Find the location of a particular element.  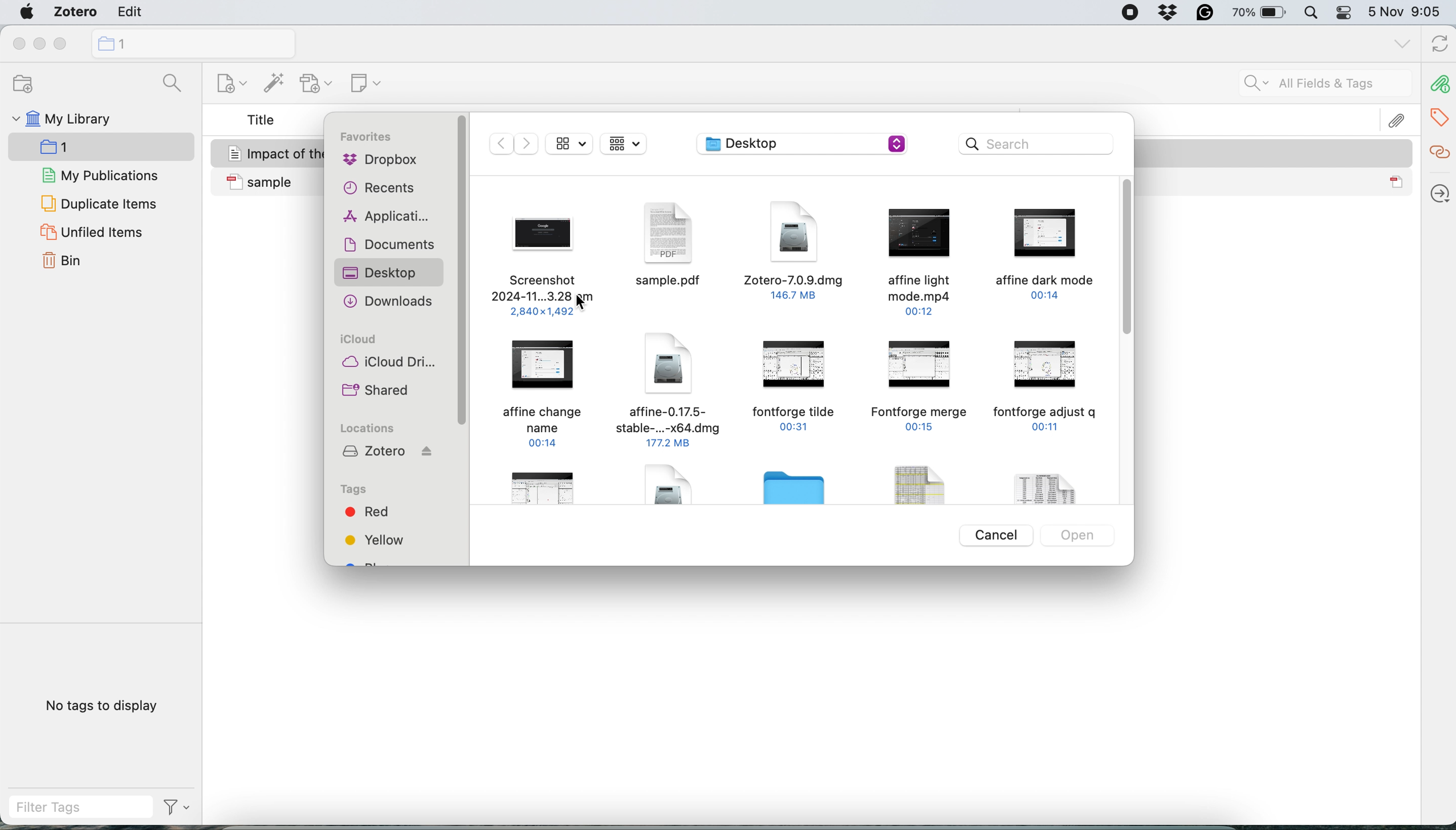

downloads is located at coordinates (389, 300).